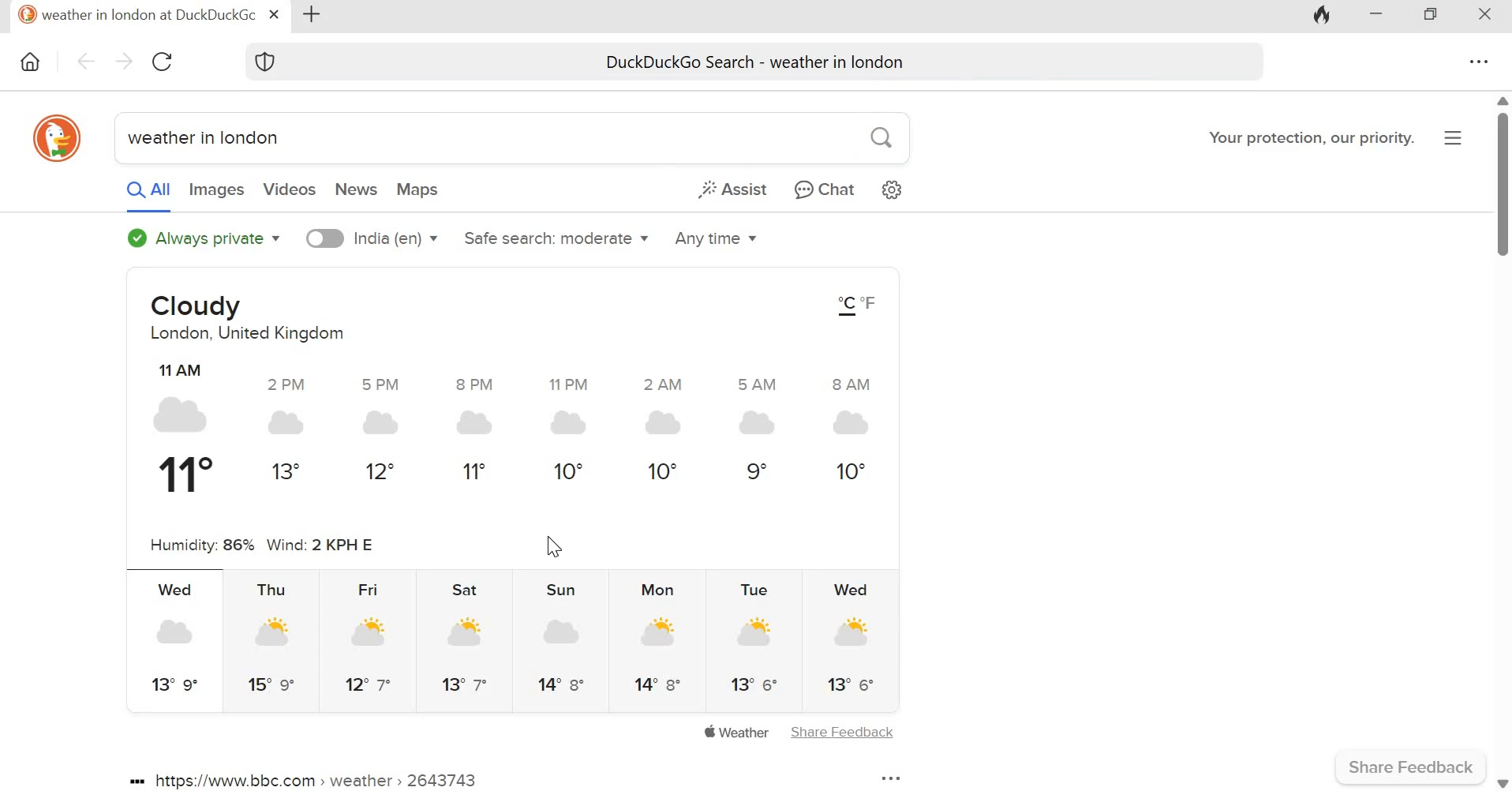 The image size is (1512, 791). Describe the element at coordinates (663, 423) in the screenshot. I see `Indicates cloudy` at that location.